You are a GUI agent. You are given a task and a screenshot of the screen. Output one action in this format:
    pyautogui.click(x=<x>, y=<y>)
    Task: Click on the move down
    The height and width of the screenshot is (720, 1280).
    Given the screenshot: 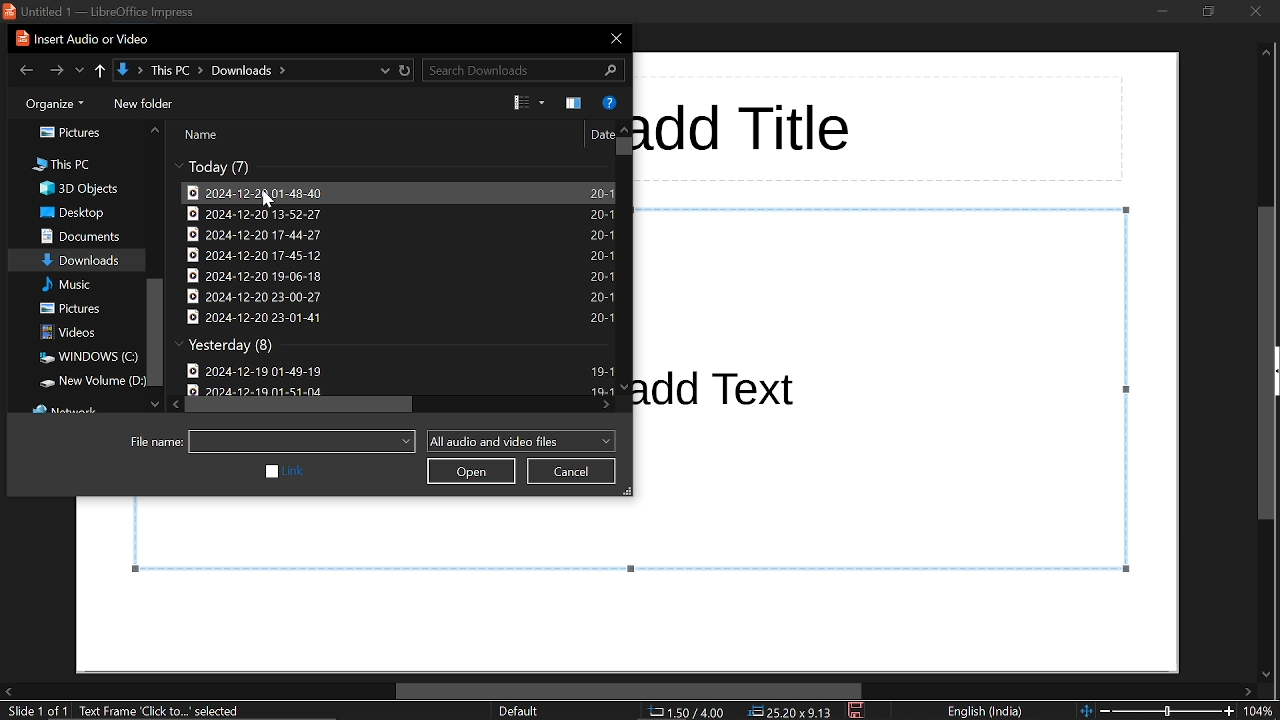 What is the action you would take?
    pyautogui.click(x=155, y=402)
    